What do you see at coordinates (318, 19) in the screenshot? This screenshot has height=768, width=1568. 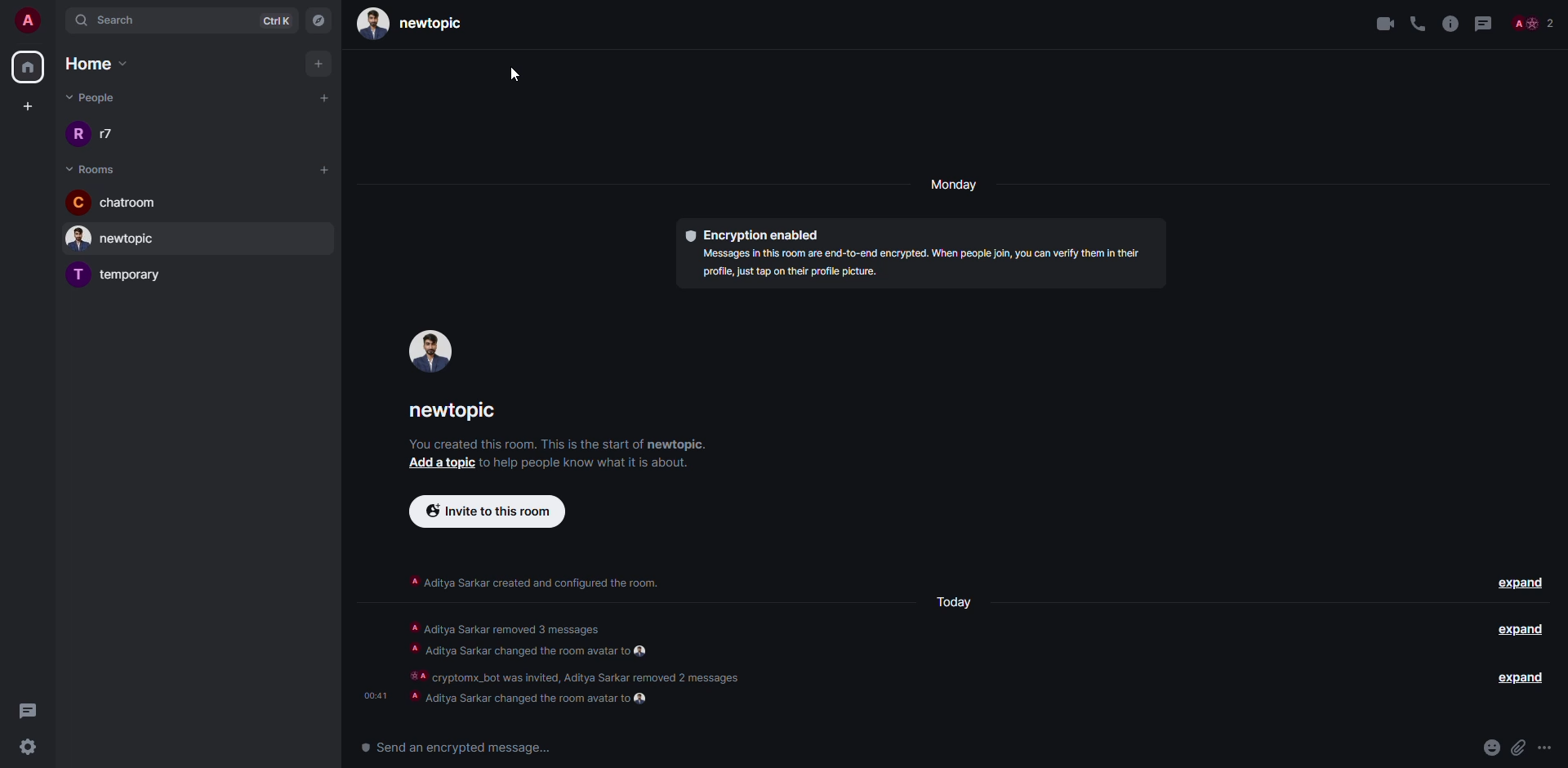 I see `navigator` at bounding box center [318, 19].